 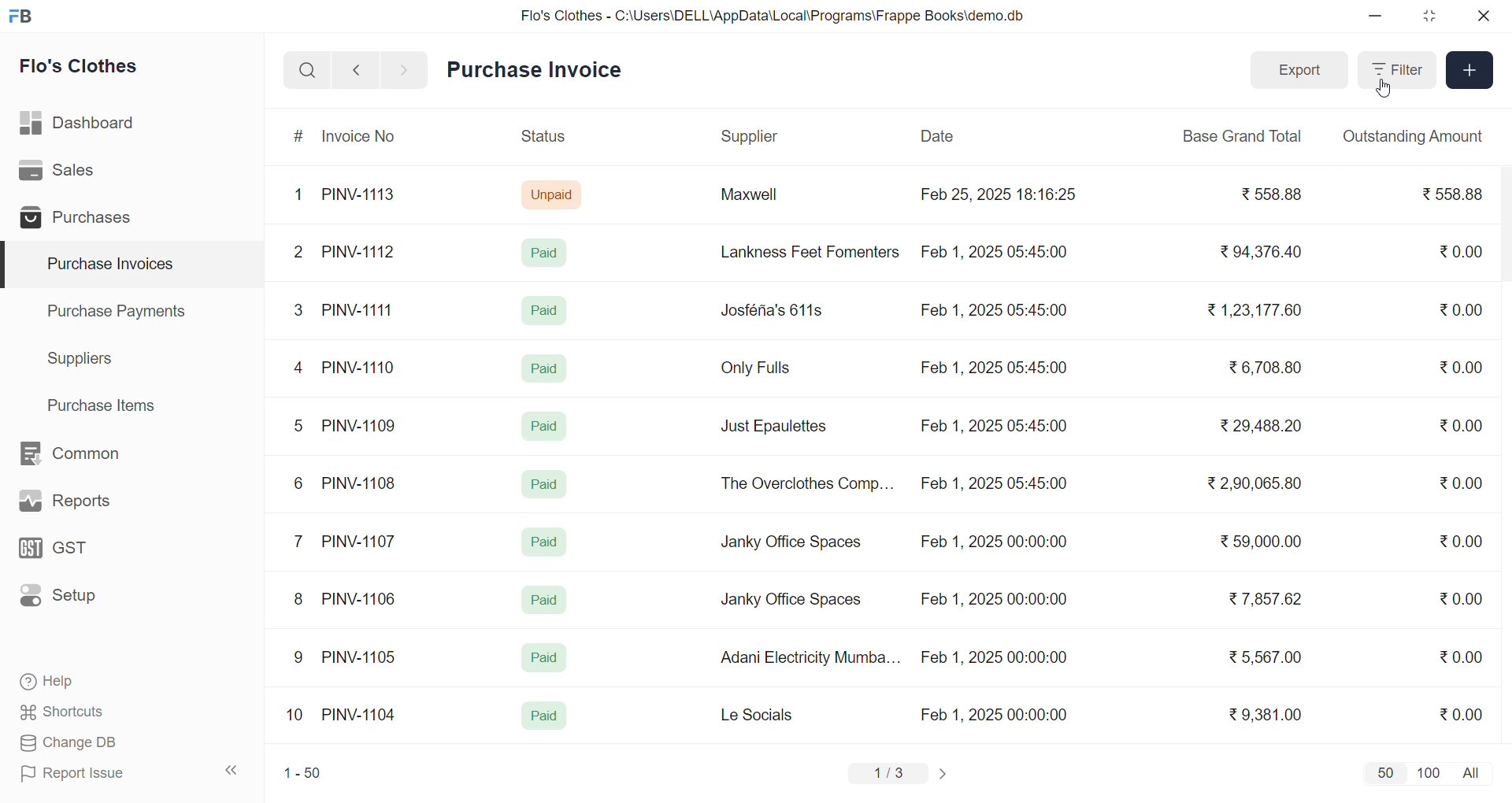 I want to click on 6, so click(x=298, y=483).